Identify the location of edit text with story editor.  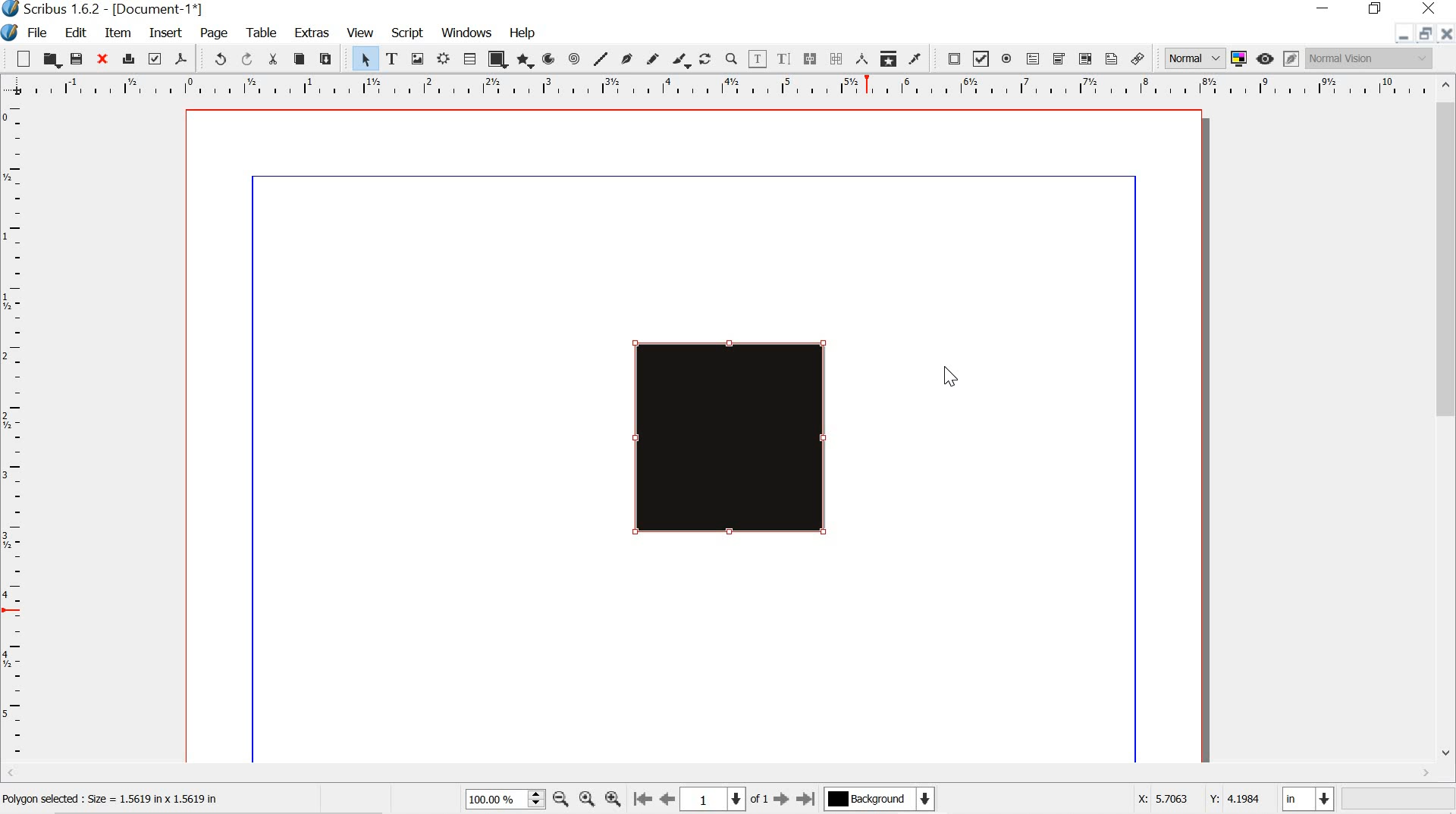
(786, 59).